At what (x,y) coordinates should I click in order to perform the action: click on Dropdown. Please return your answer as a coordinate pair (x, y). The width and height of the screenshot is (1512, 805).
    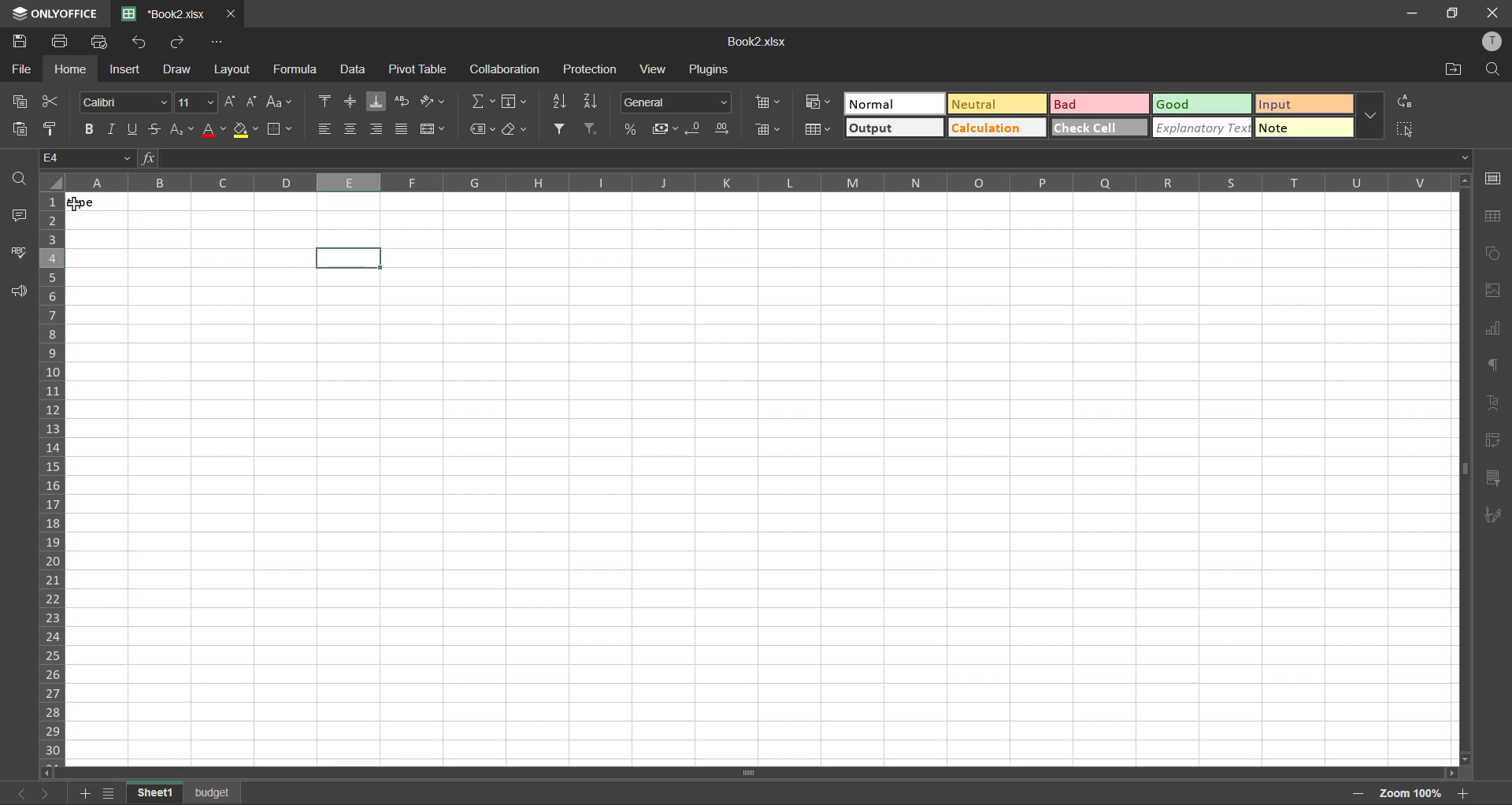
    Looking at the image, I should click on (1469, 158).